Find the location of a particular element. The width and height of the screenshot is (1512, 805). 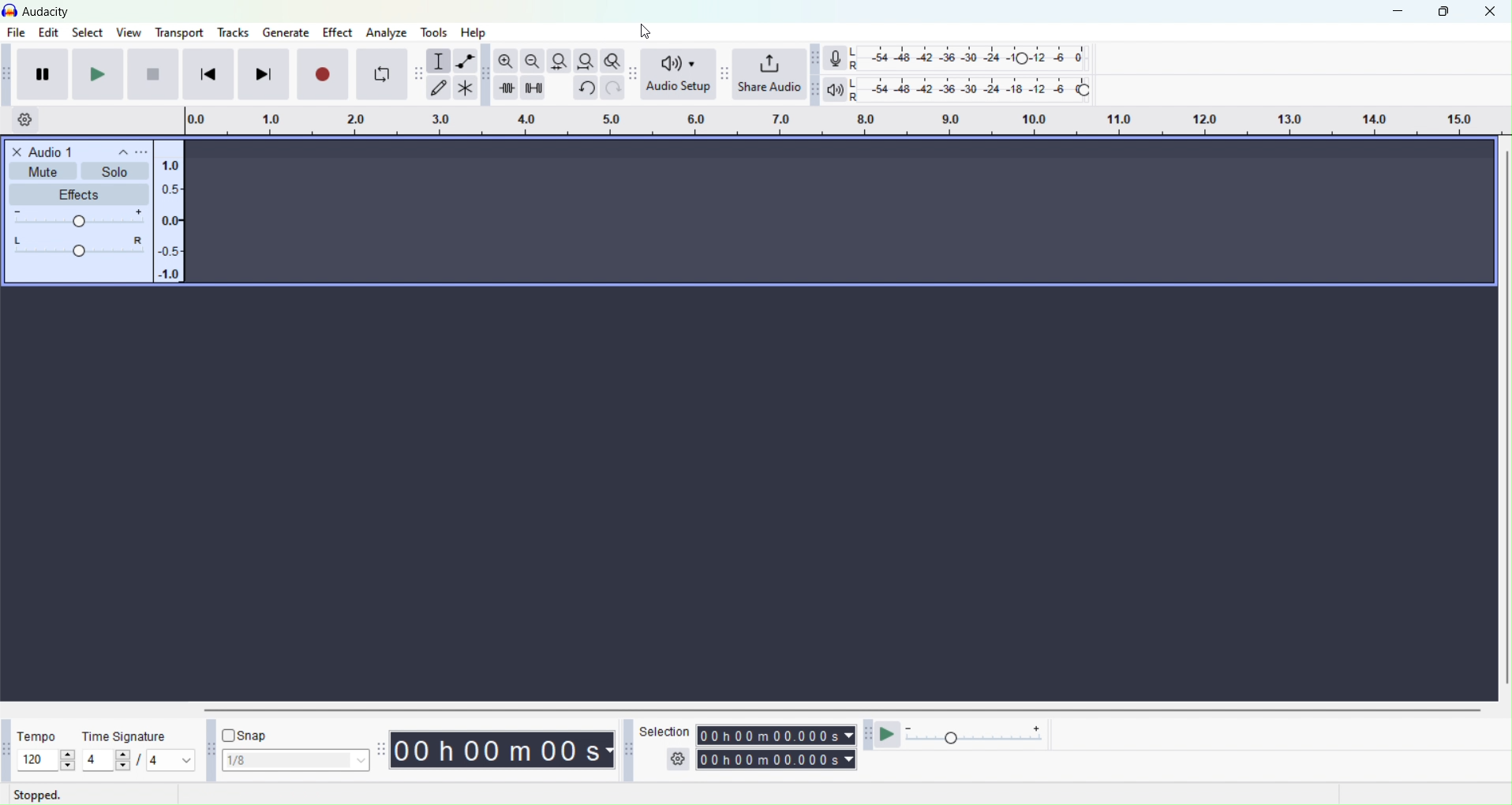

Mute  is located at coordinates (39, 171).